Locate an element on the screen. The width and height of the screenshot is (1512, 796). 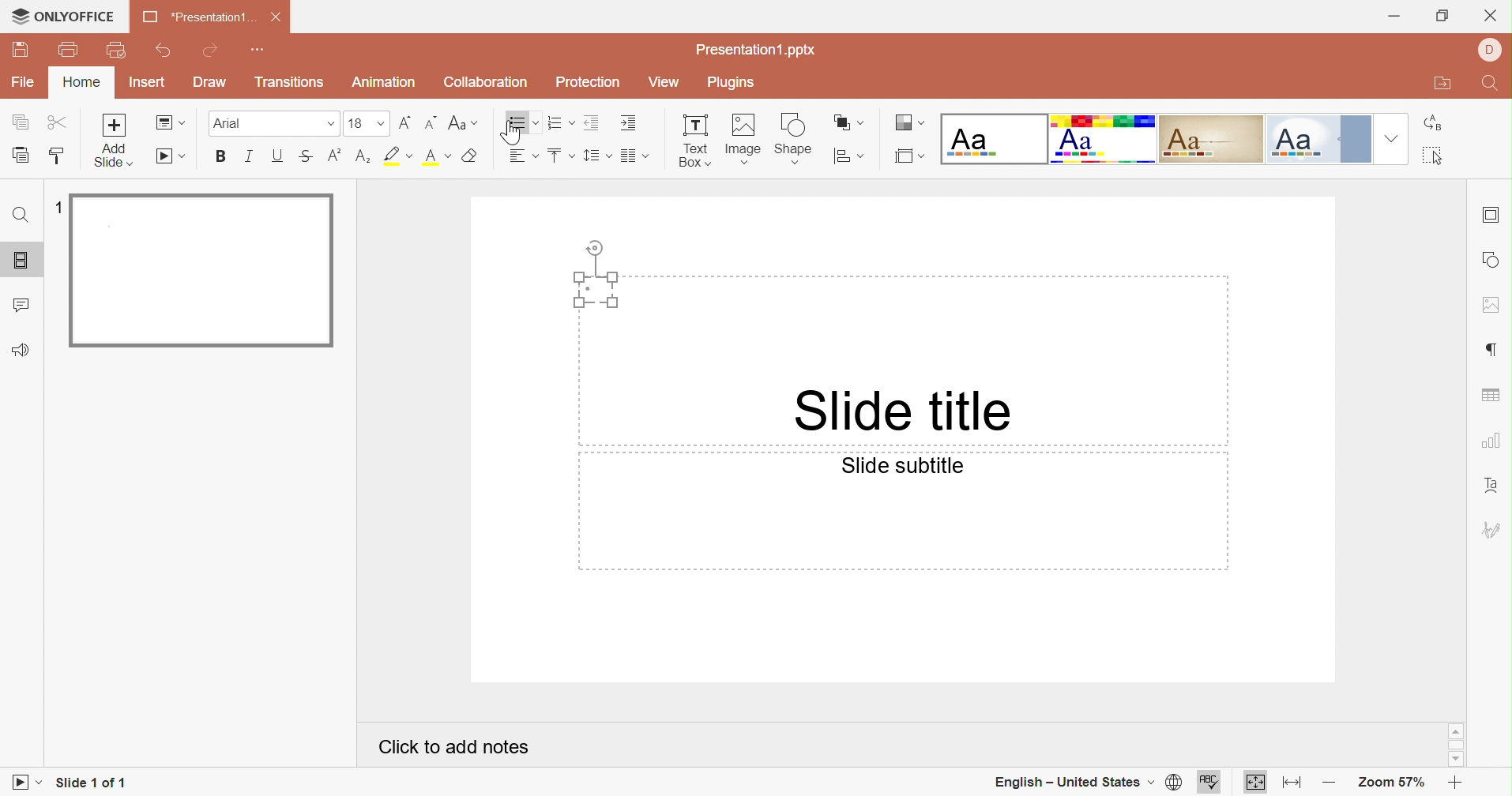
Drop Down is located at coordinates (331, 125).